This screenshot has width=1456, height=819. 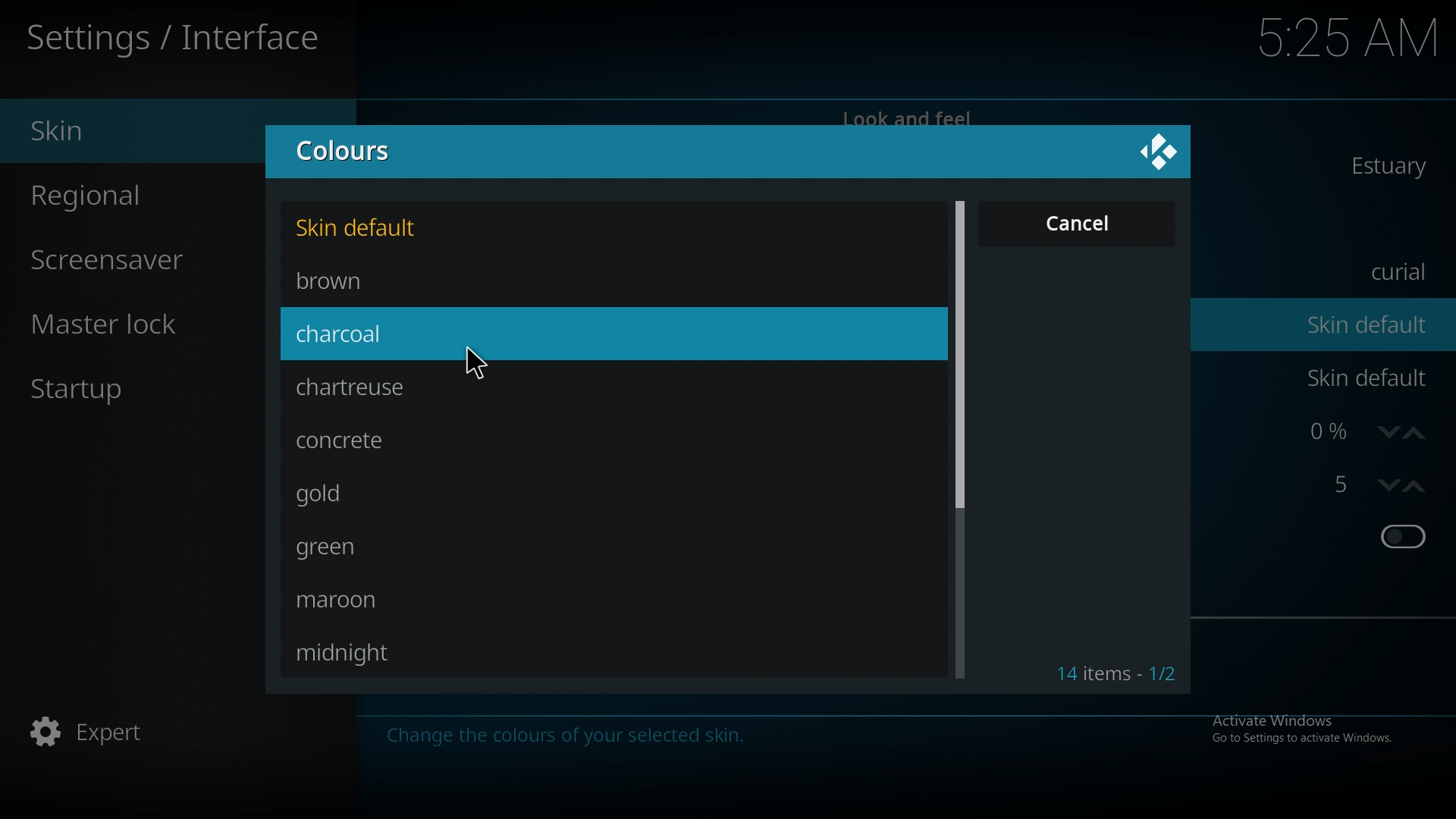 What do you see at coordinates (903, 120) in the screenshot?
I see `look and feel` at bounding box center [903, 120].